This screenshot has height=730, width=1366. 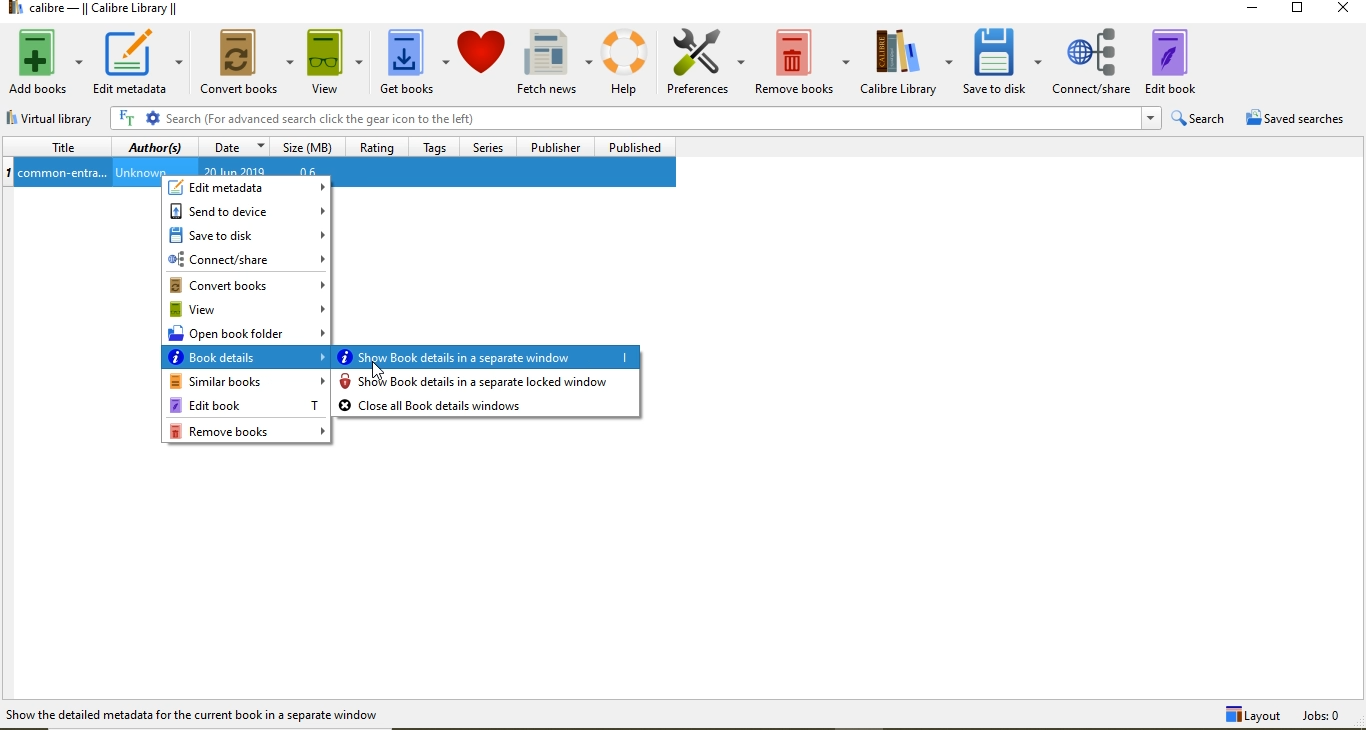 I want to click on Date, so click(x=233, y=149).